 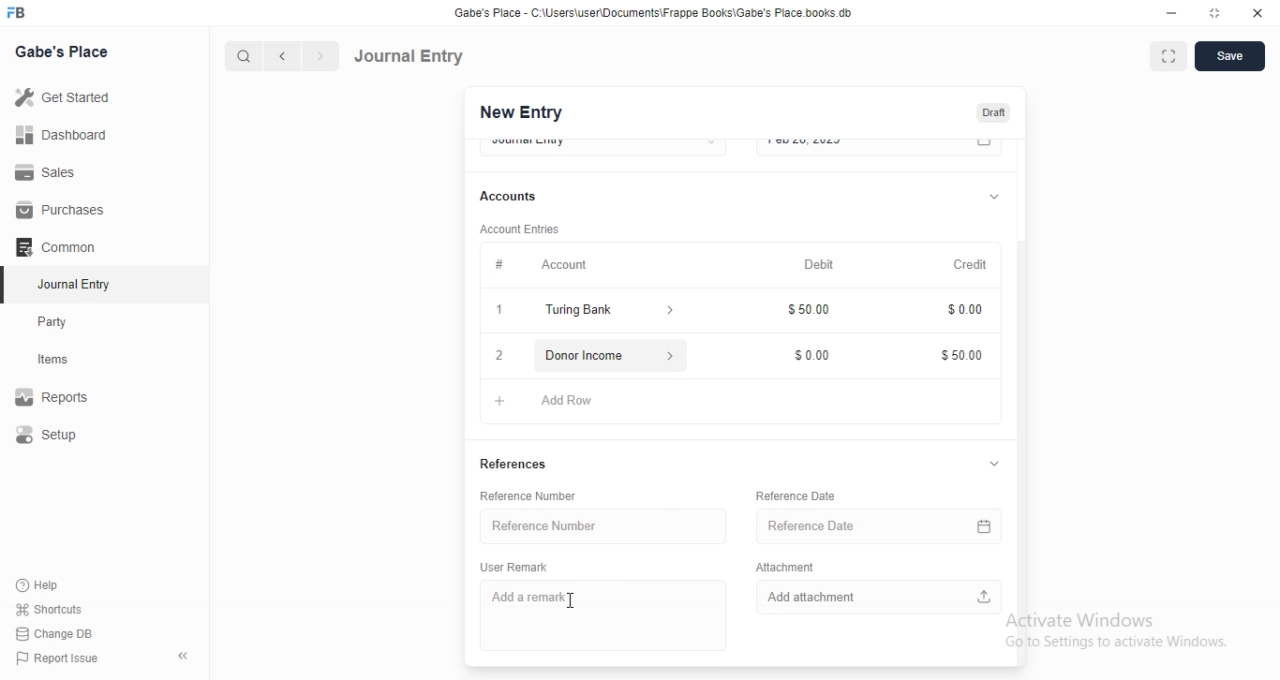 I want to click on Sales, so click(x=64, y=171).